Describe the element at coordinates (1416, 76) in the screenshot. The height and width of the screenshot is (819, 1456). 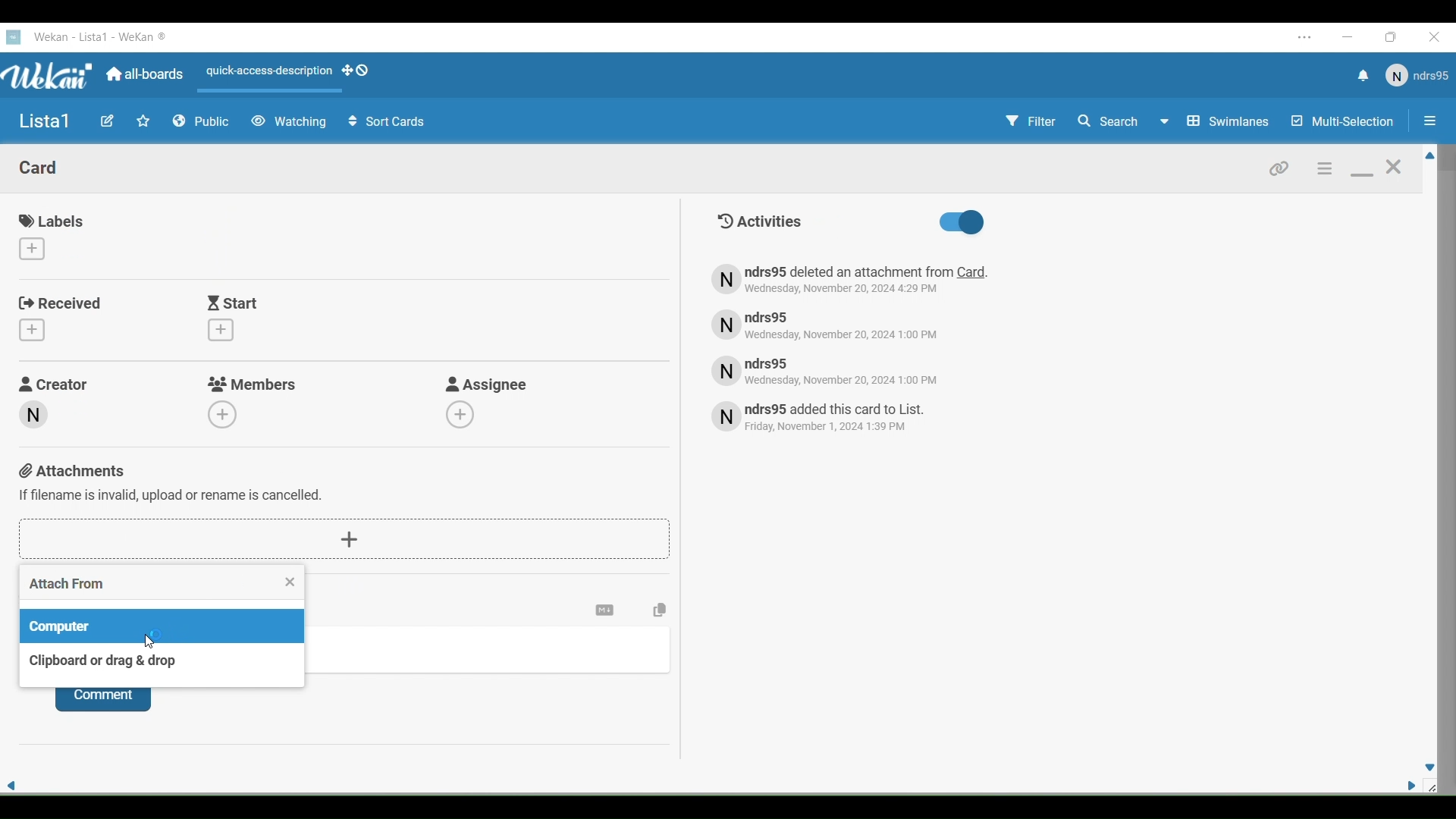
I see `User` at that location.